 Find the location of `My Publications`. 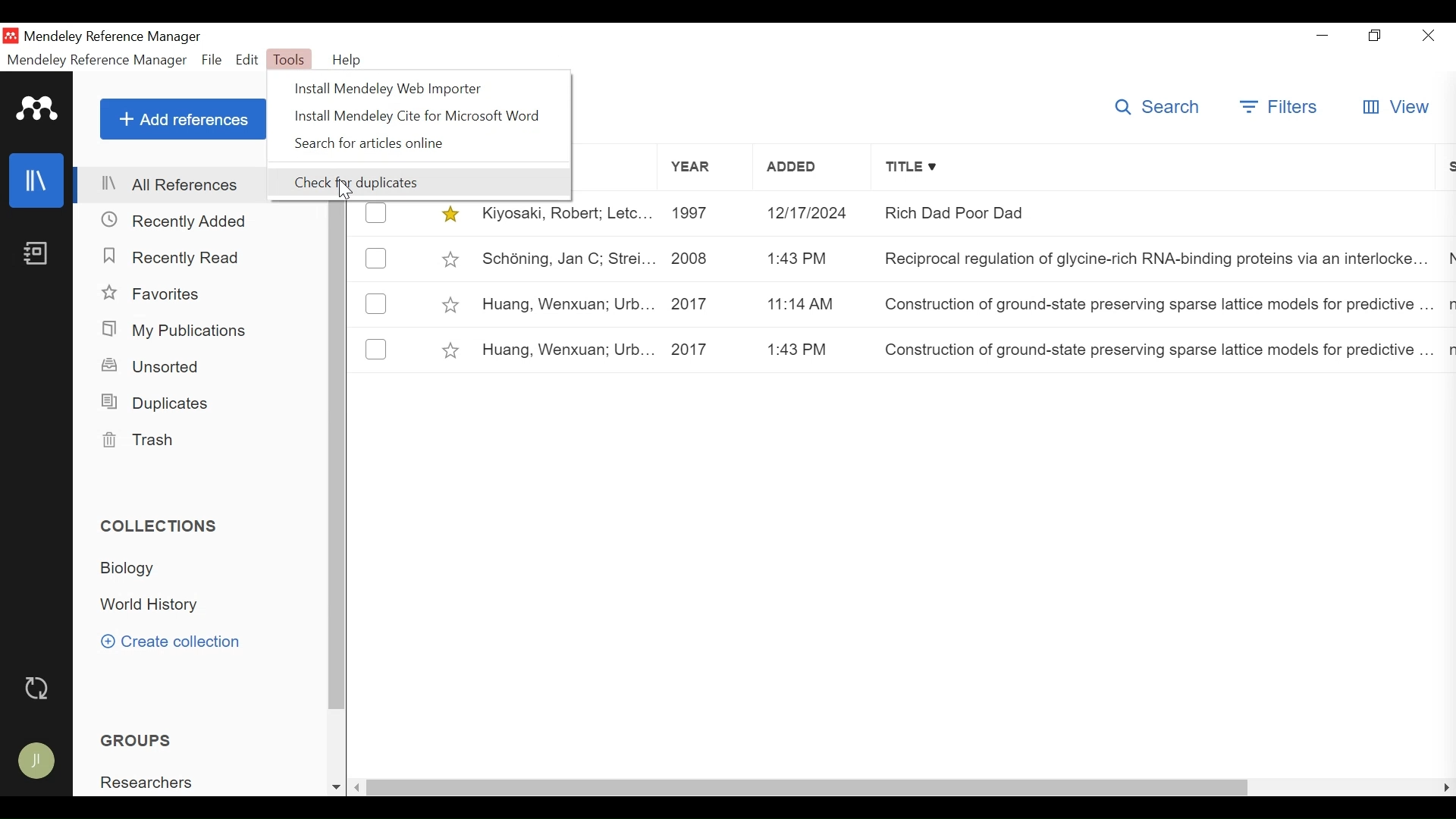

My Publications is located at coordinates (174, 331).